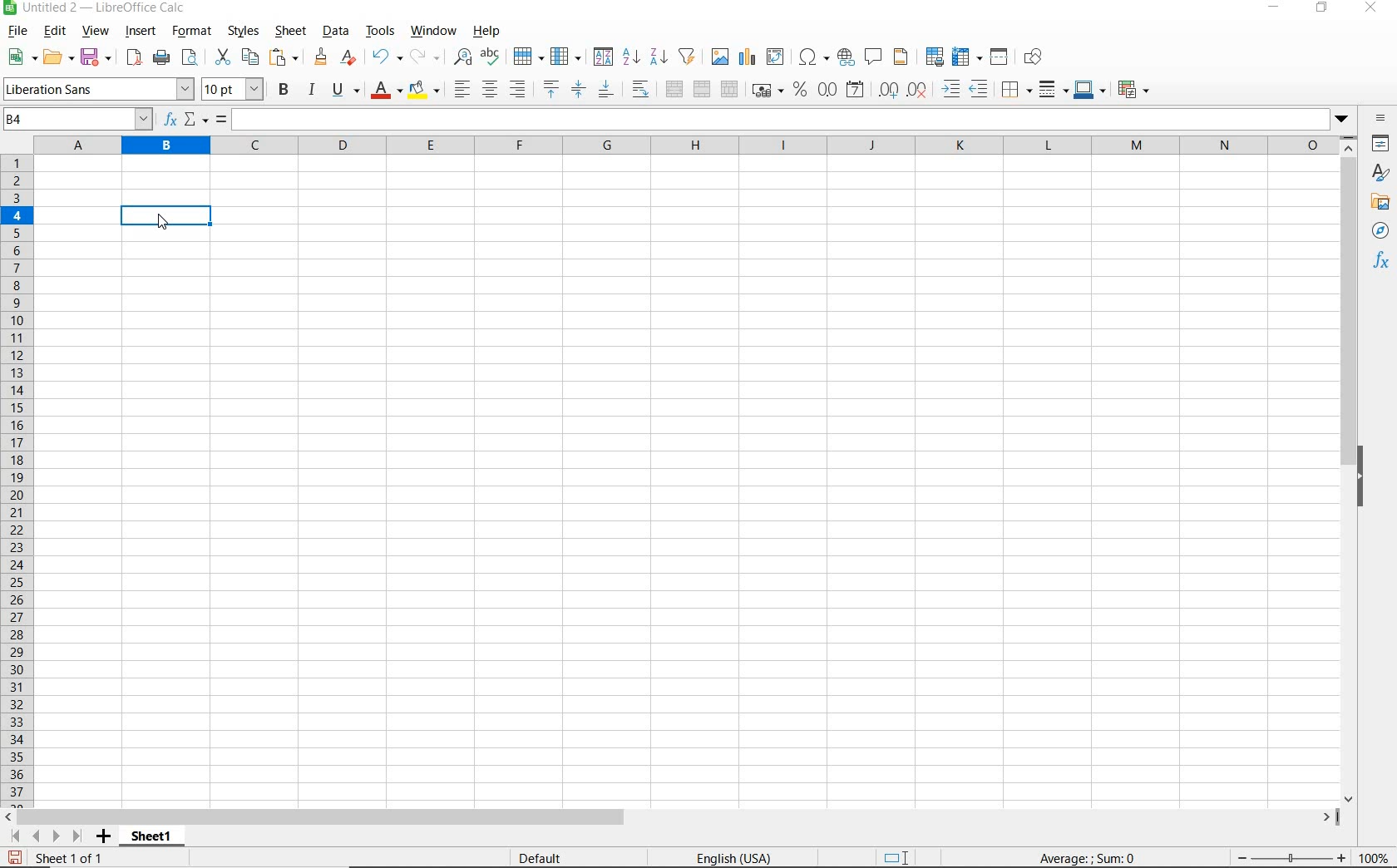  I want to click on columns, so click(688, 145).